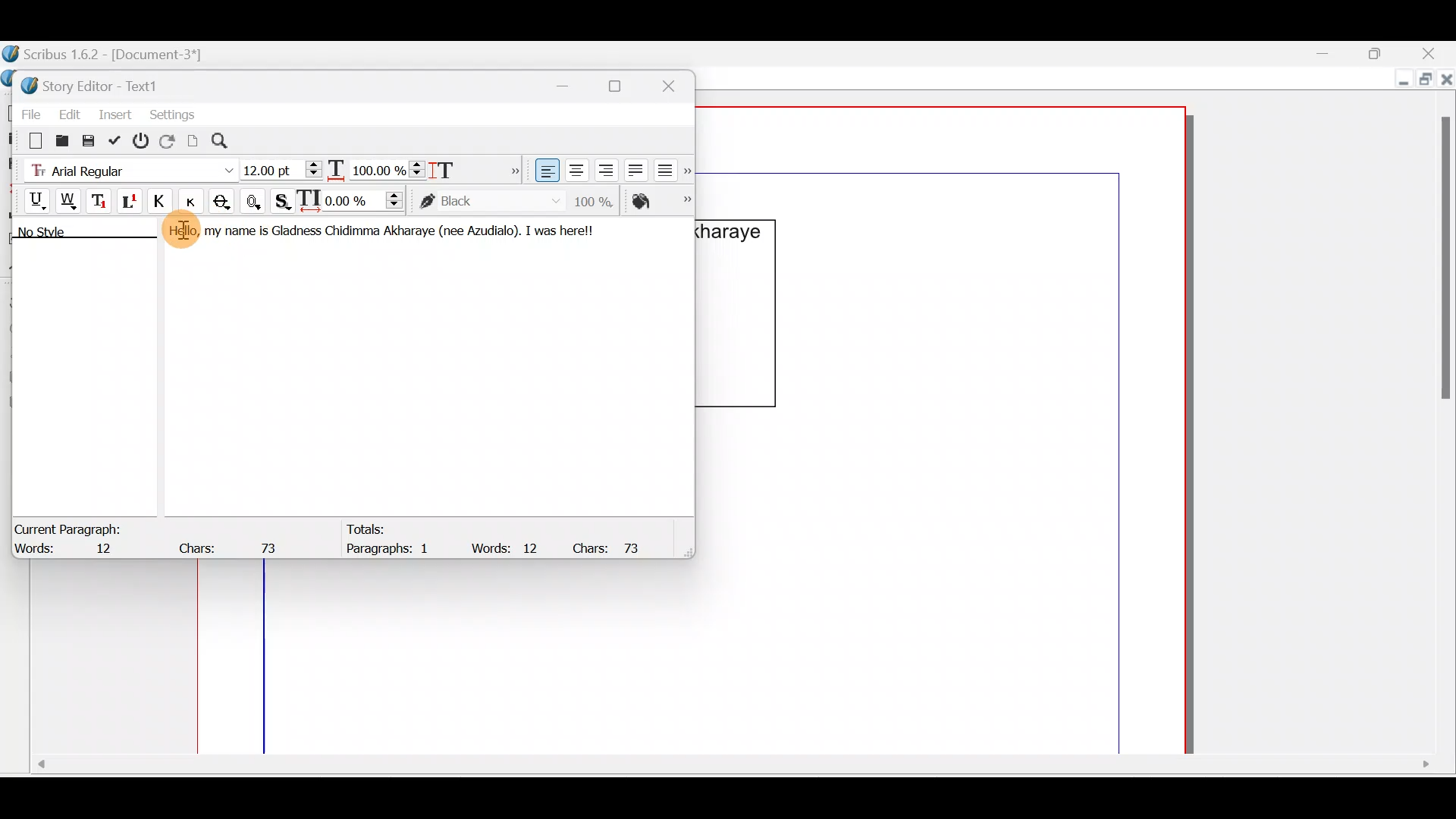 Image resolution: width=1456 pixels, height=819 pixels. Describe the element at coordinates (195, 200) in the screenshot. I see `Small caps` at that location.